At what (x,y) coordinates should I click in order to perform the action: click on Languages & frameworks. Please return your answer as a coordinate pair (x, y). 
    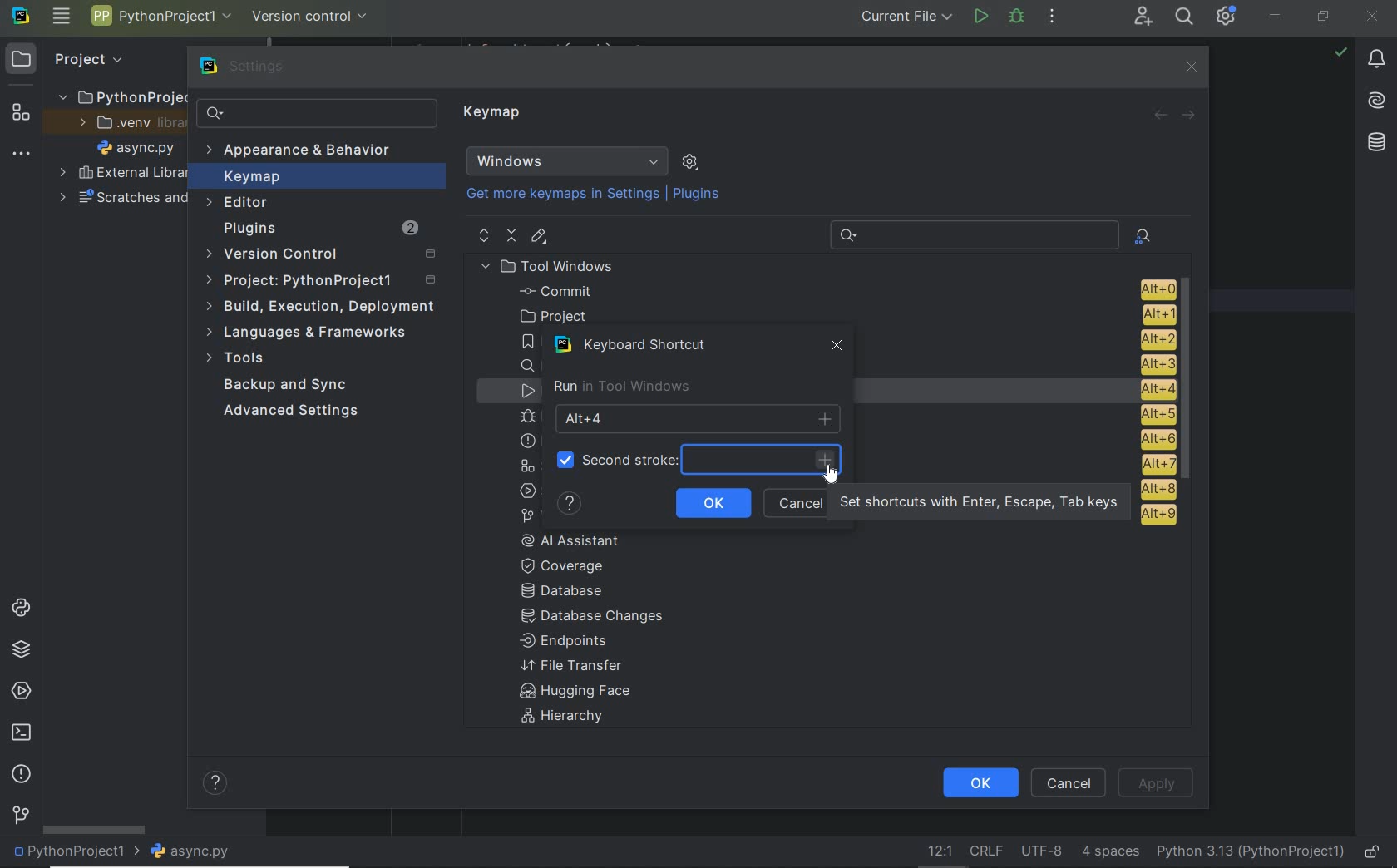
    Looking at the image, I should click on (310, 334).